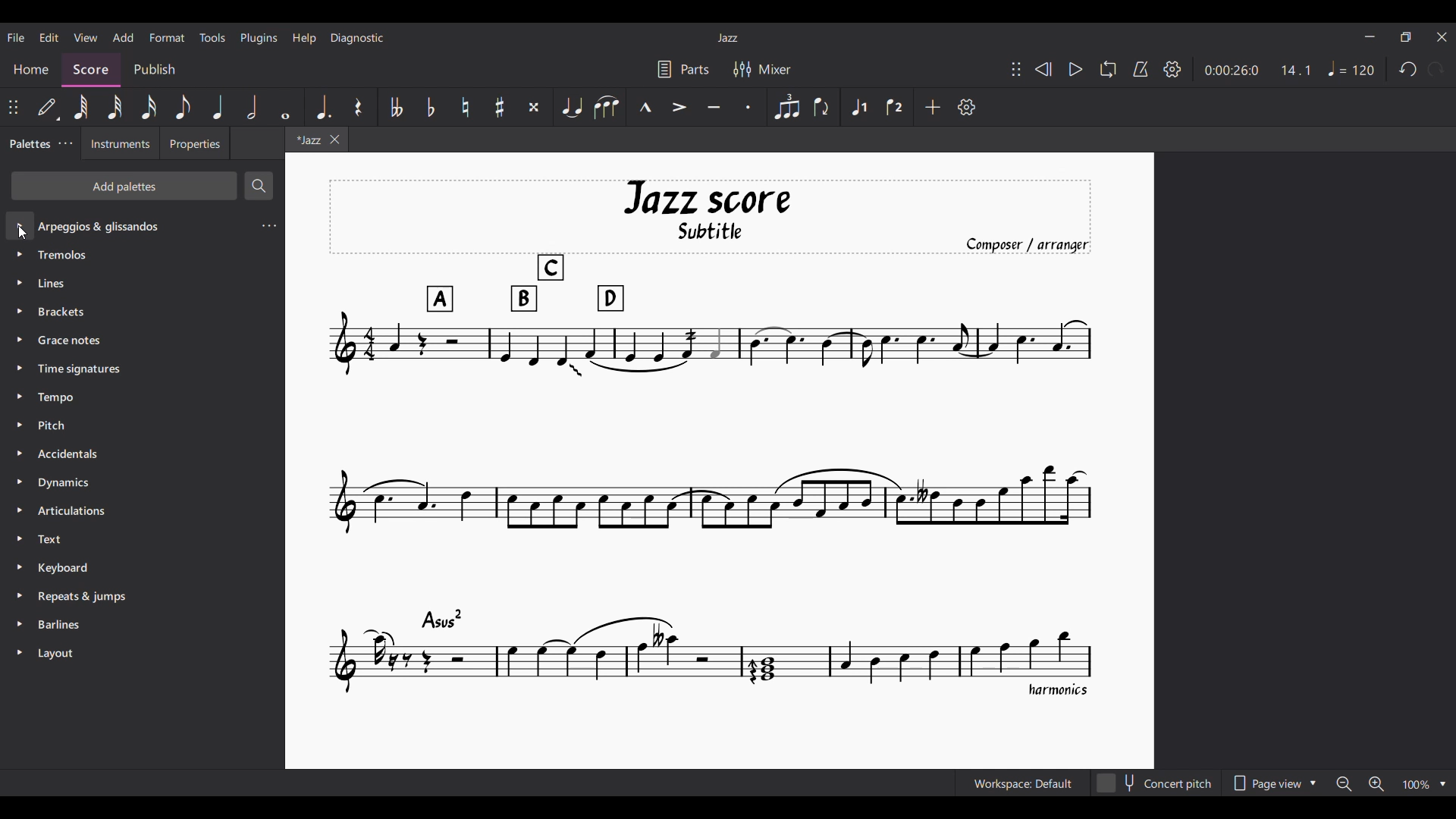  What do you see at coordinates (80, 106) in the screenshot?
I see `64th note` at bounding box center [80, 106].